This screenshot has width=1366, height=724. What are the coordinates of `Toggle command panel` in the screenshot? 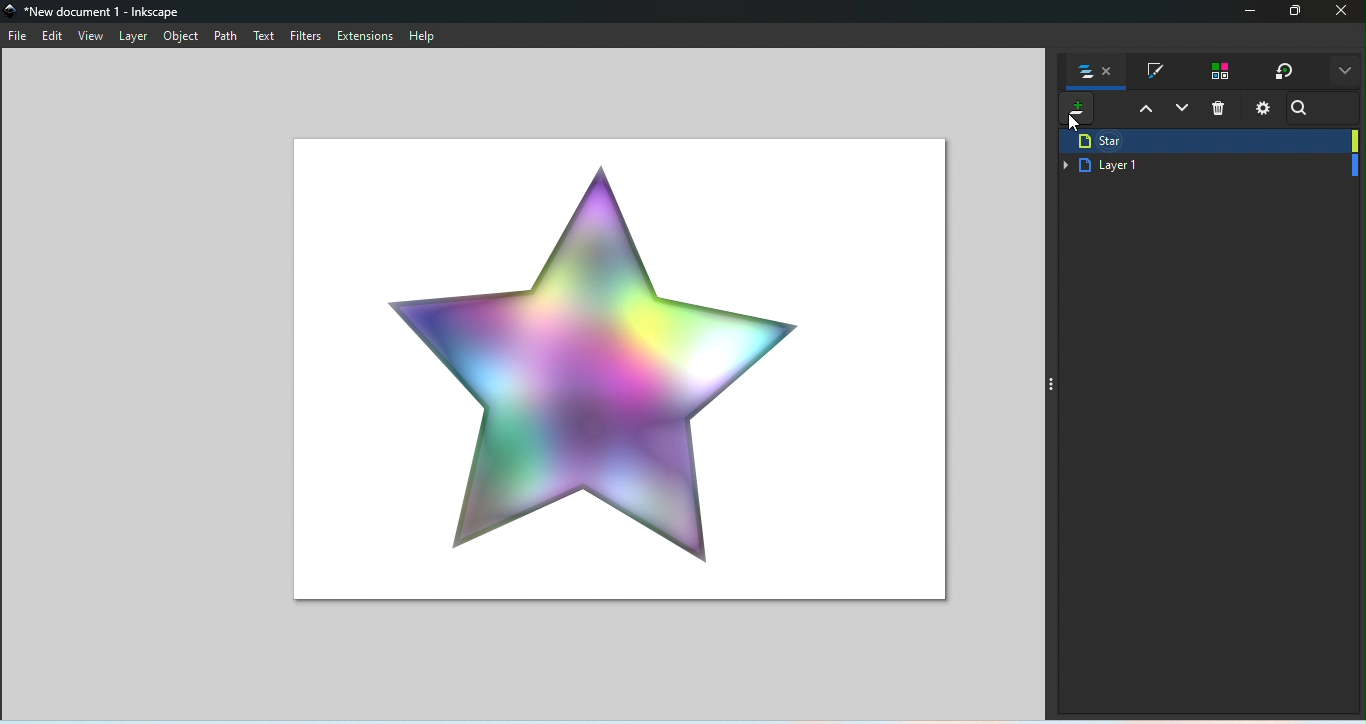 It's located at (1054, 383).